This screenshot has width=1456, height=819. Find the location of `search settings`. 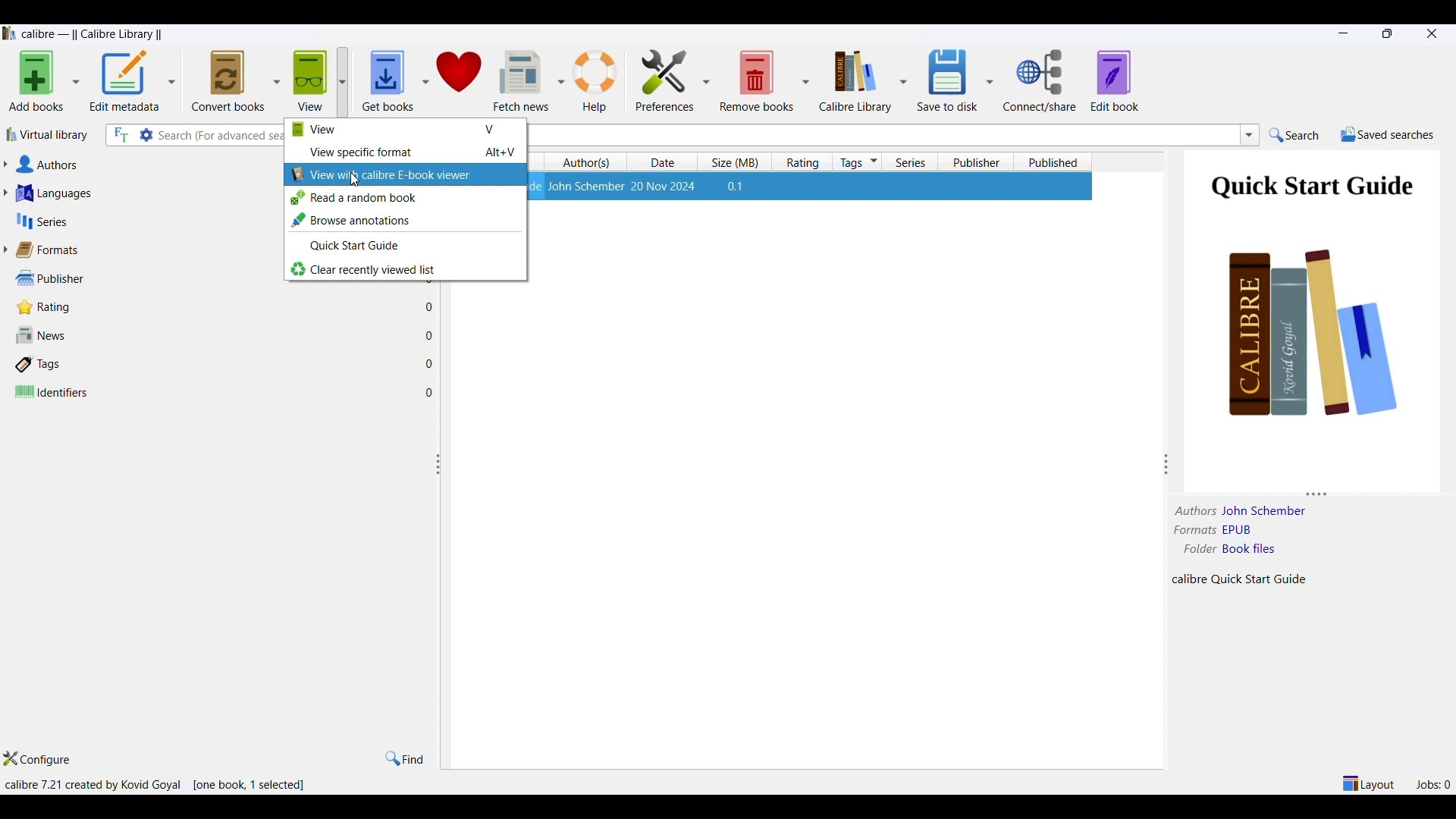

search settings is located at coordinates (147, 136).